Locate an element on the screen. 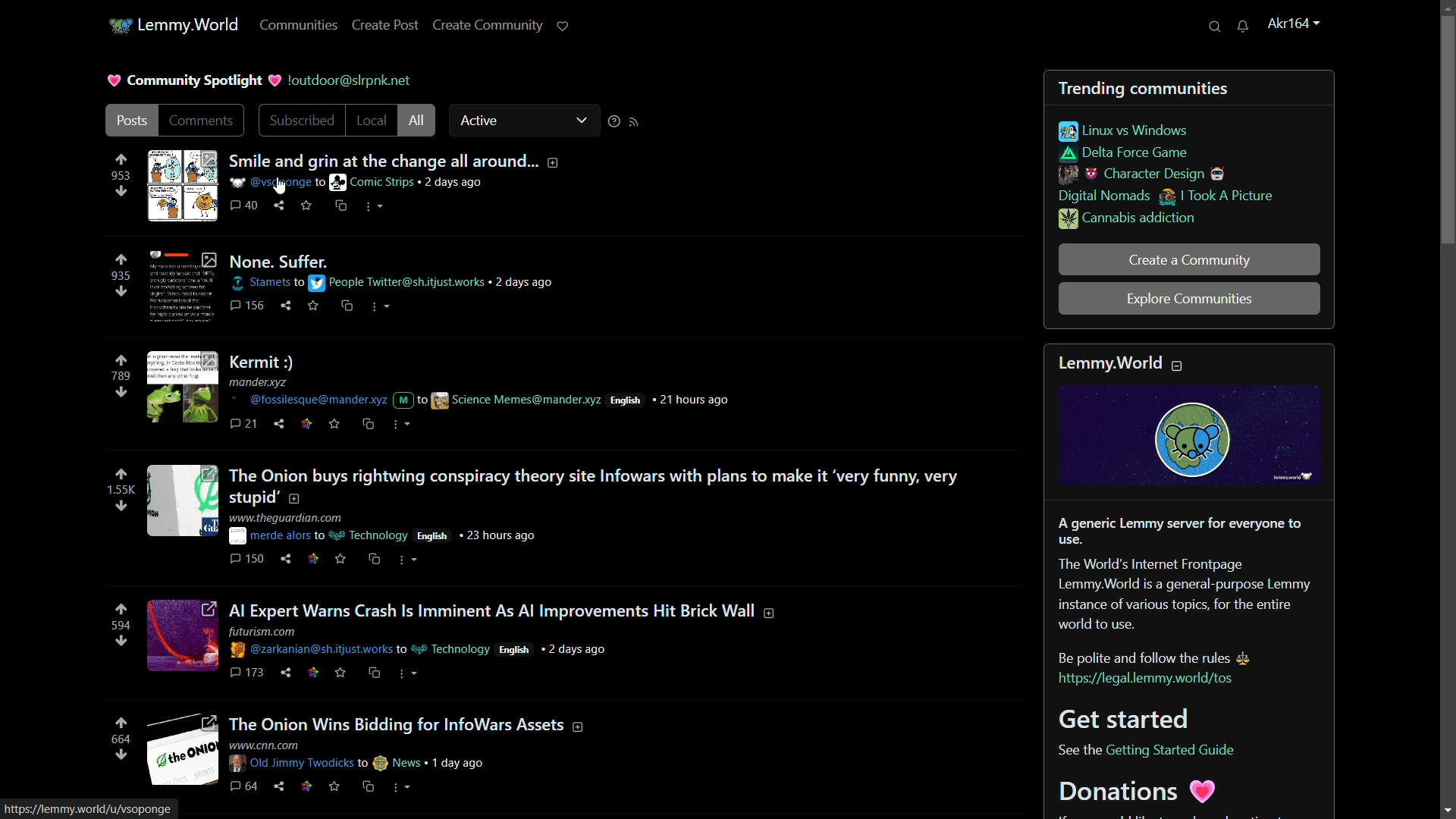 This screenshot has width=1456, height=819. share is located at coordinates (285, 560).